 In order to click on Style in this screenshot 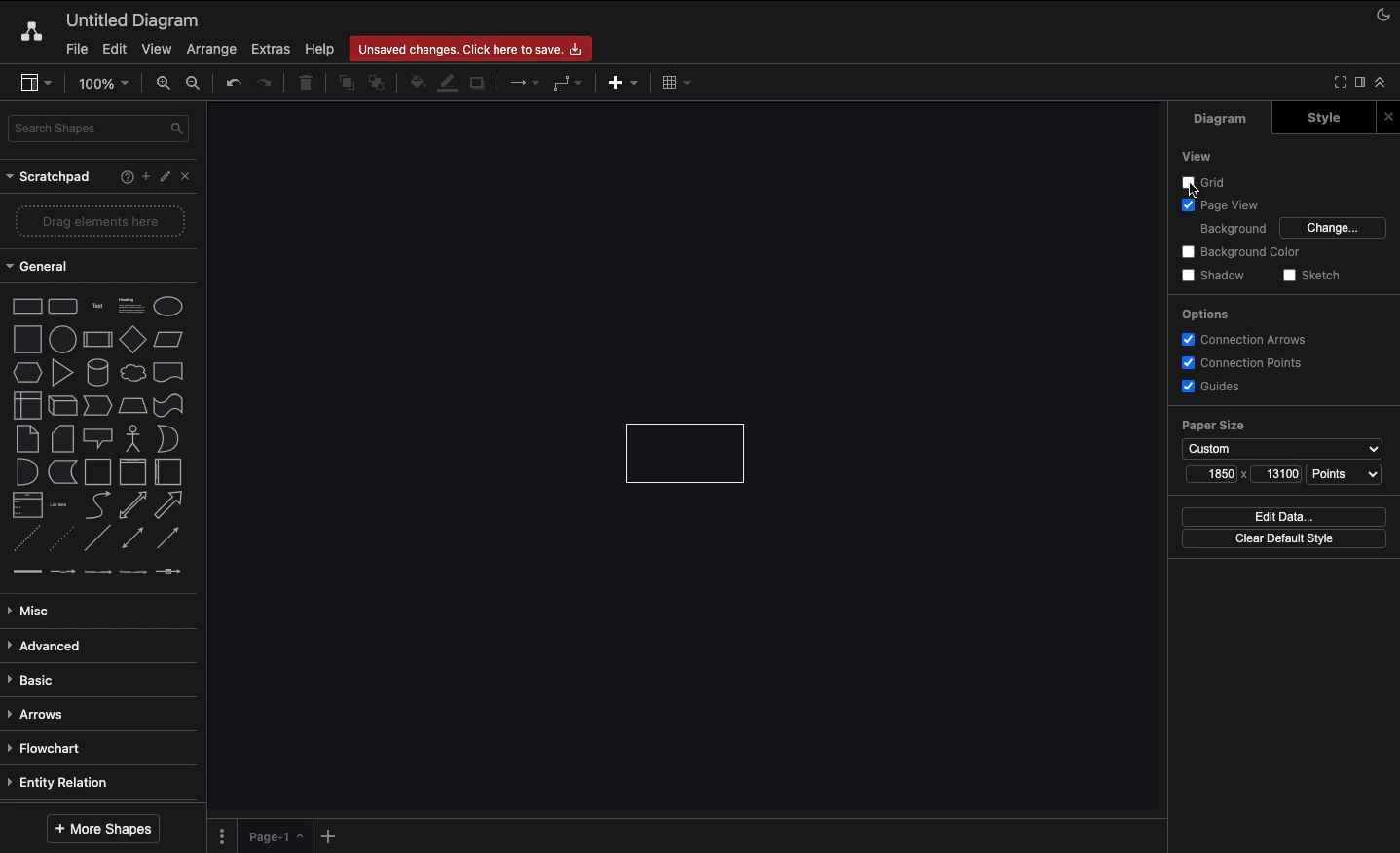, I will do `click(1326, 118)`.